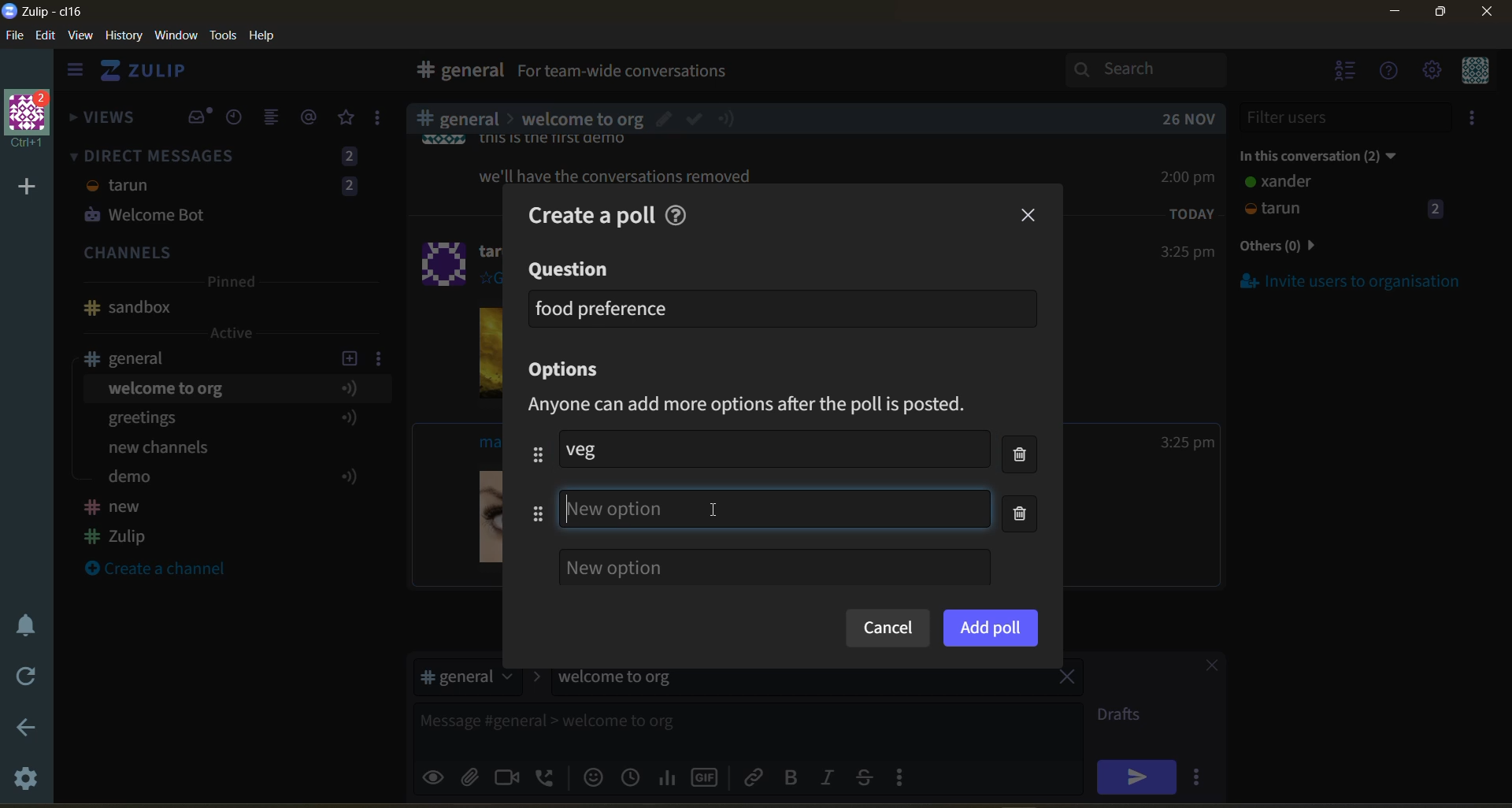  What do you see at coordinates (1390, 72) in the screenshot?
I see `help menu` at bounding box center [1390, 72].